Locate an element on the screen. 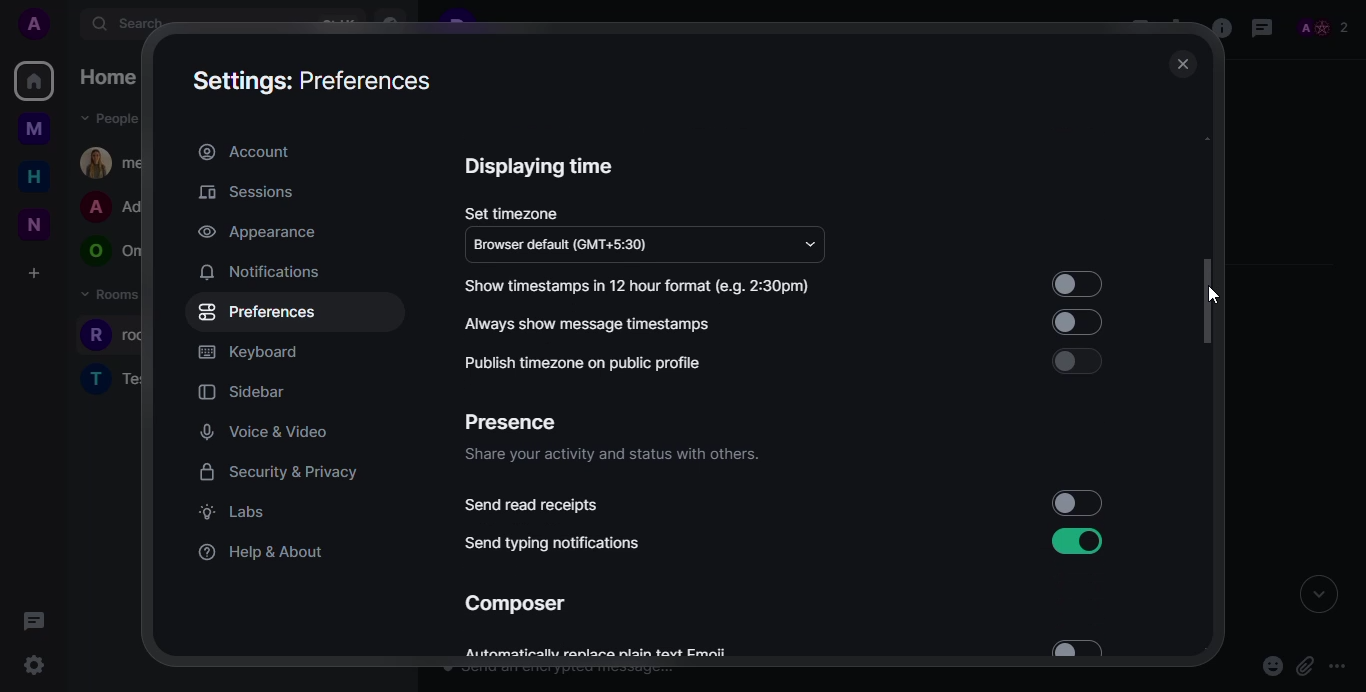  people room is located at coordinates (112, 252).